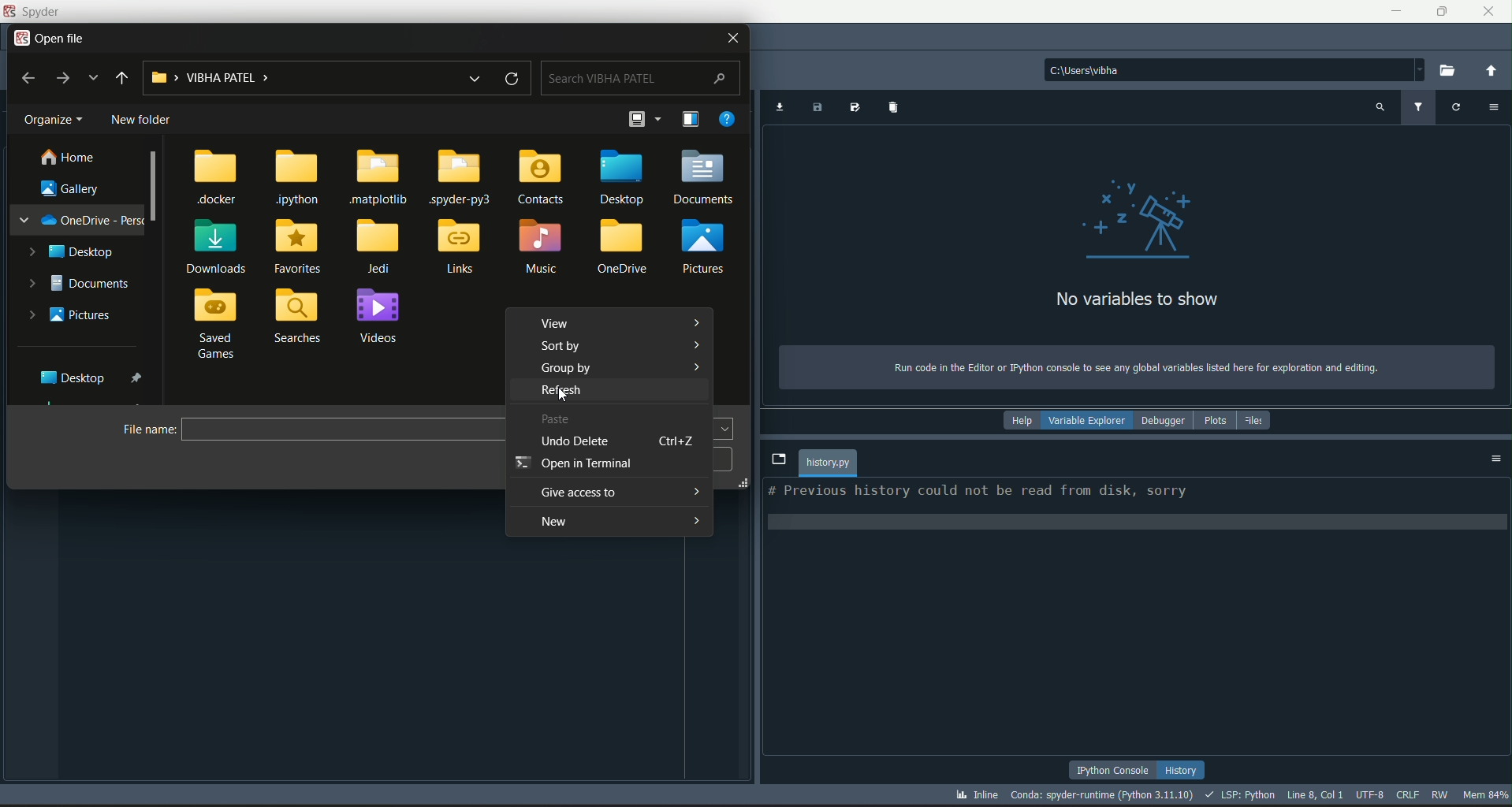 The height and width of the screenshot is (807, 1512). Describe the element at coordinates (122, 78) in the screenshot. I see `upto desktop` at that location.